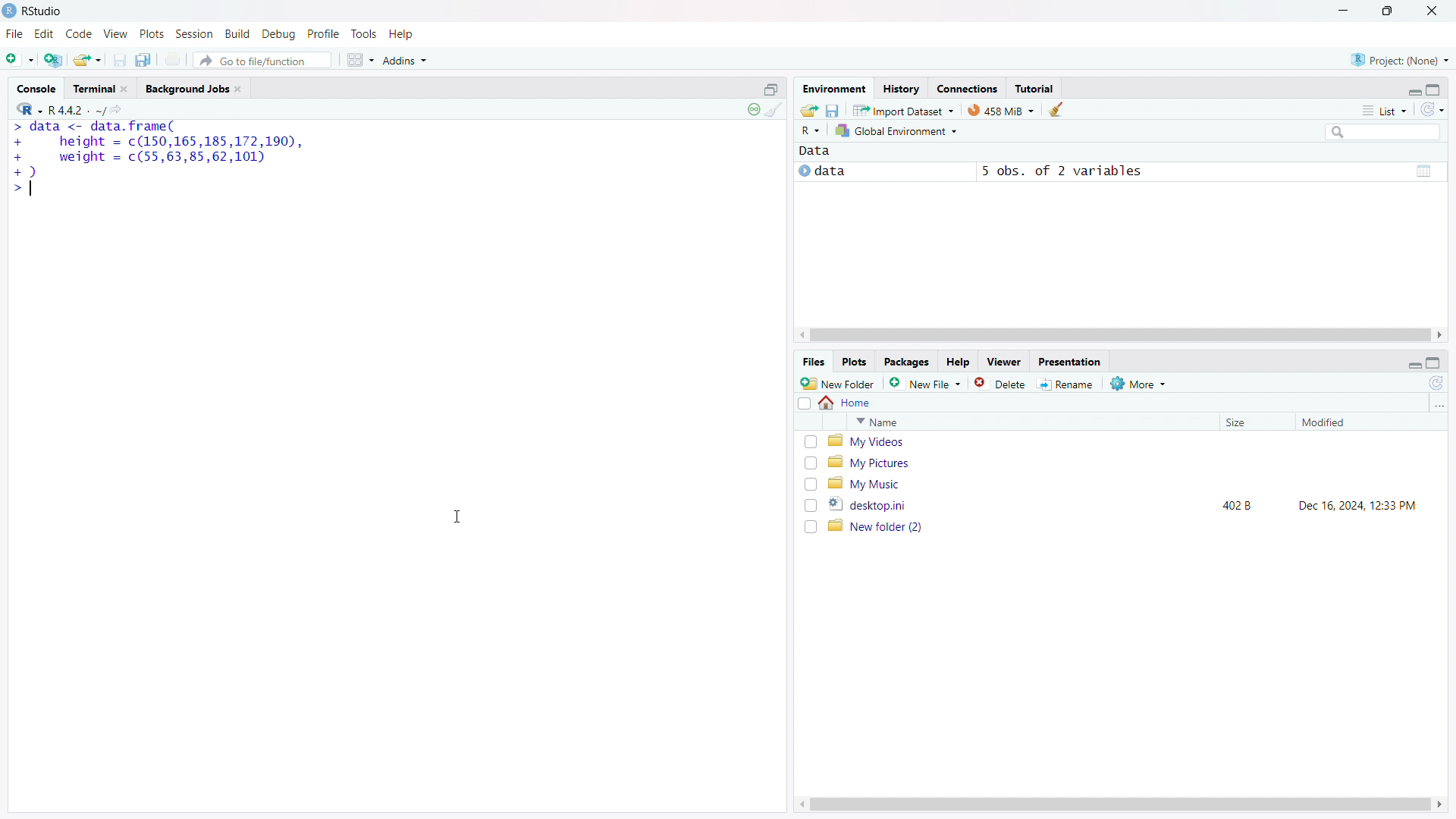  Describe the element at coordinates (855, 362) in the screenshot. I see `plots` at that location.